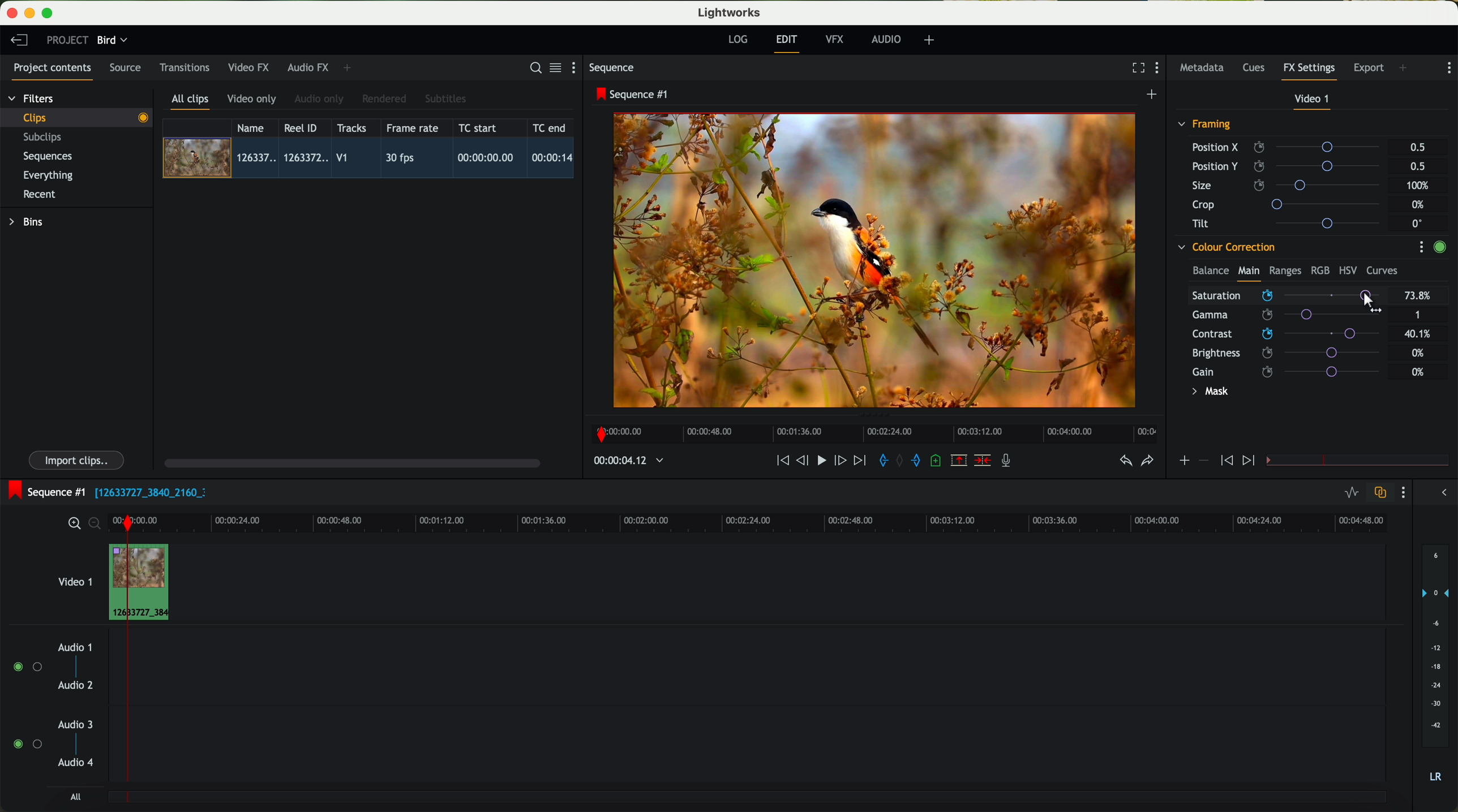 This screenshot has height=812, width=1458. What do you see at coordinates (1125, 461) in the screenshot?
I see `undo` at bounding box center [1125, 461].